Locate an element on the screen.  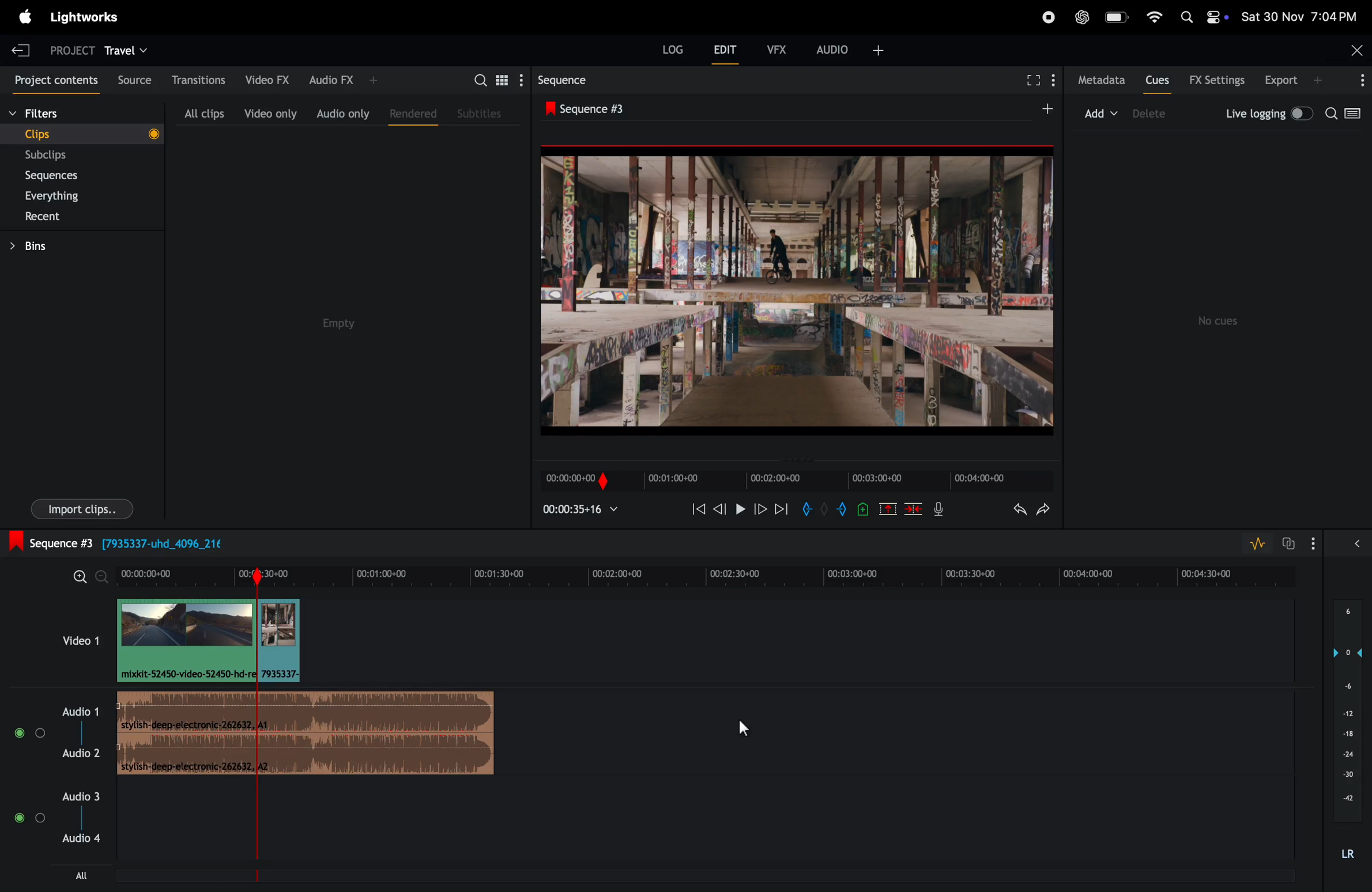
Empty is located at coordinates (338, 326).